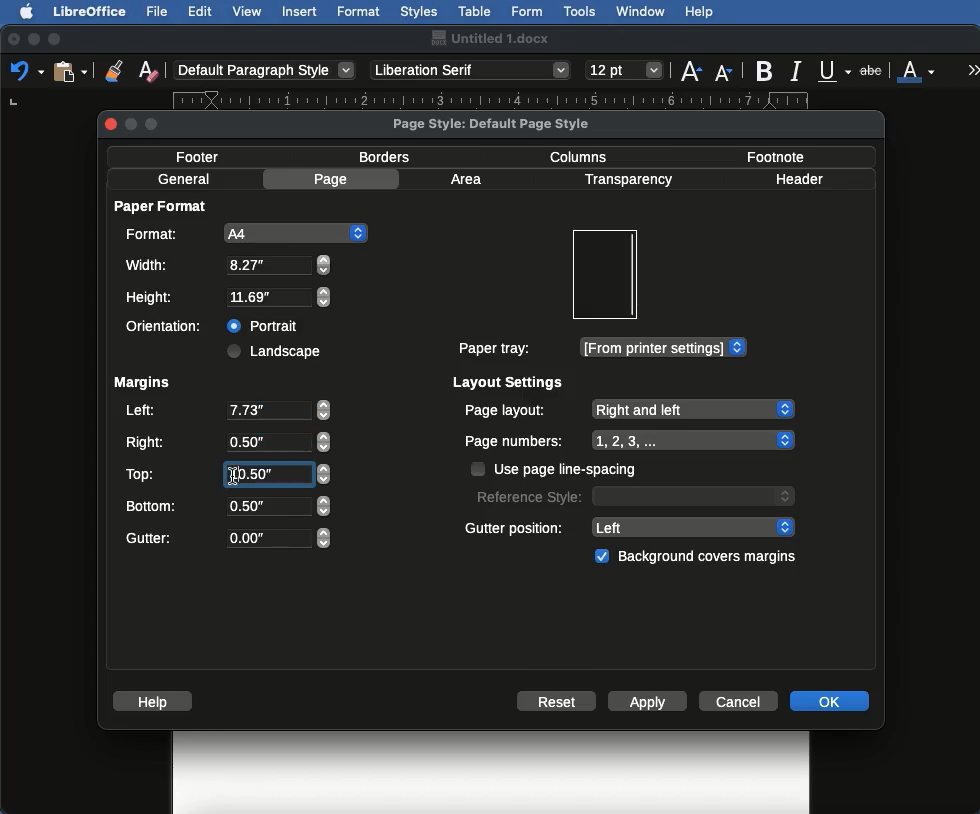 Image resolution: width=980 pixels, height=814 pixels. I want to click on Gutter, so click(228, 539).